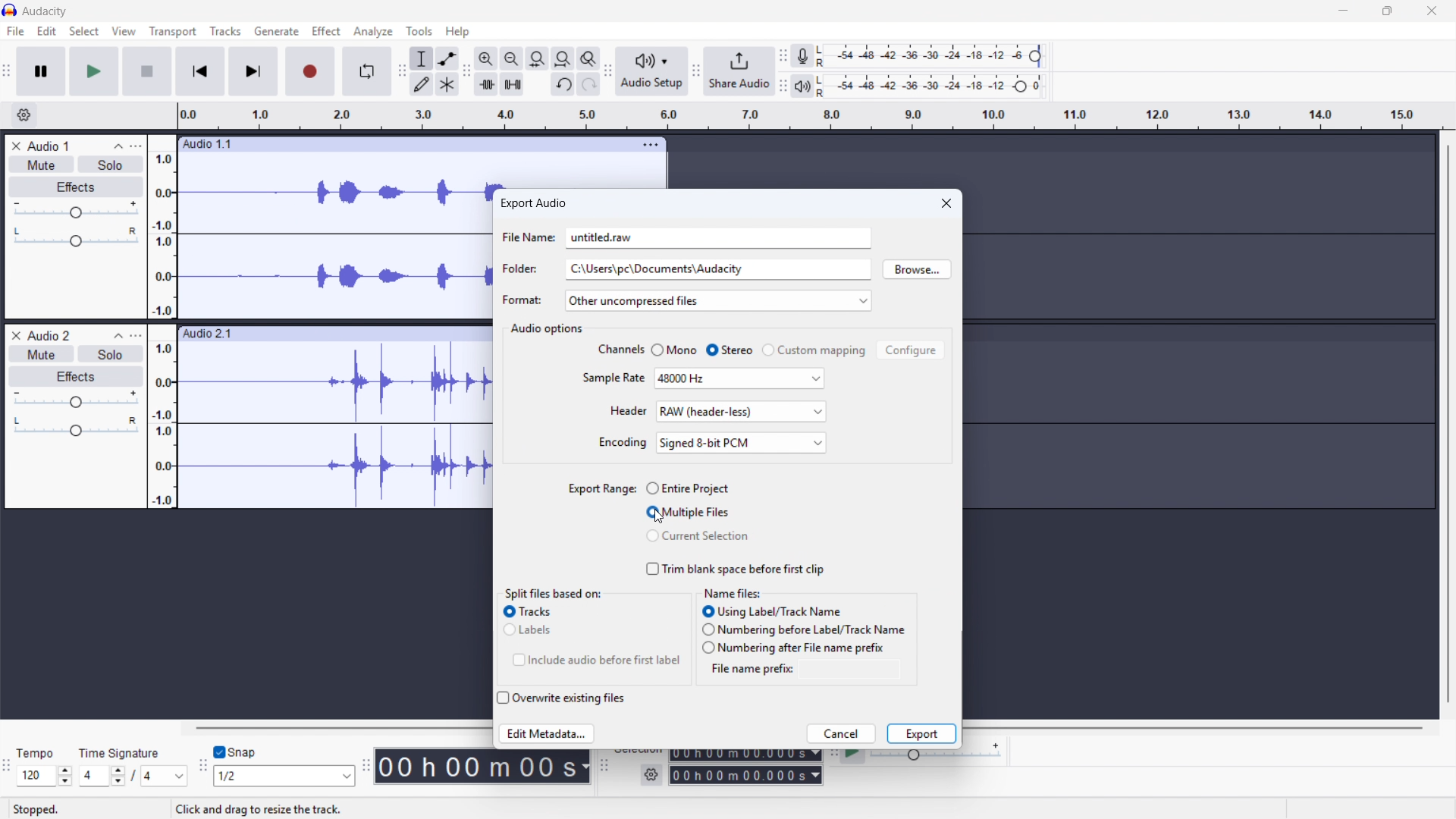 The height and width of the screenshot is (819, 1456). I want to click on ) Tracks, so click(529, 611).